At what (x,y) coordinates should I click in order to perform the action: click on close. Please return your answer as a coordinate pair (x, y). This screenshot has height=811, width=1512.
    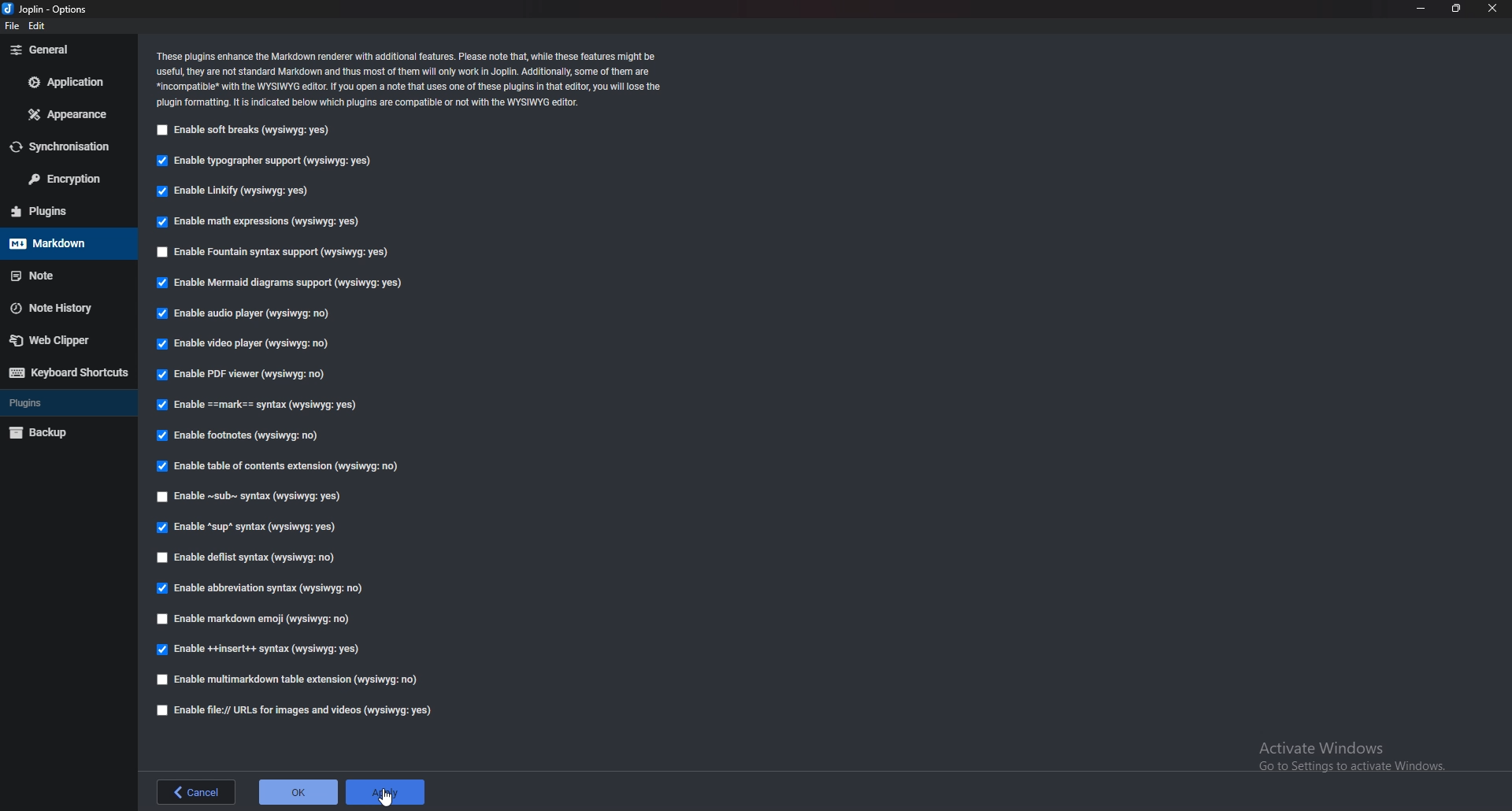
    Looking at the image, I should click on (1494, 8).